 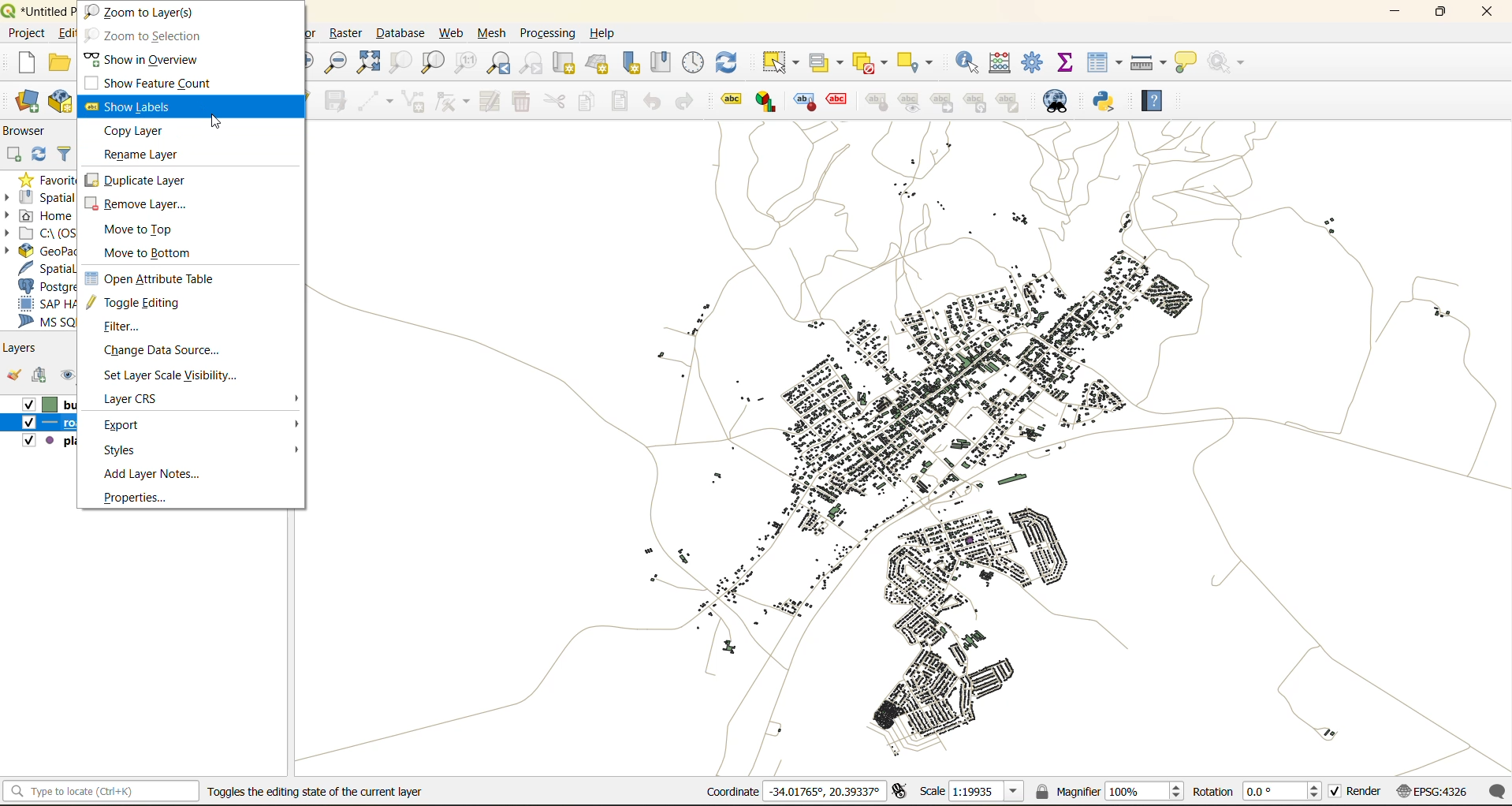 What do you see at coordinates (876, 102) in the screenshot?
I see `pin\unpin labels and diagrams` at bounding box center [876, 102].